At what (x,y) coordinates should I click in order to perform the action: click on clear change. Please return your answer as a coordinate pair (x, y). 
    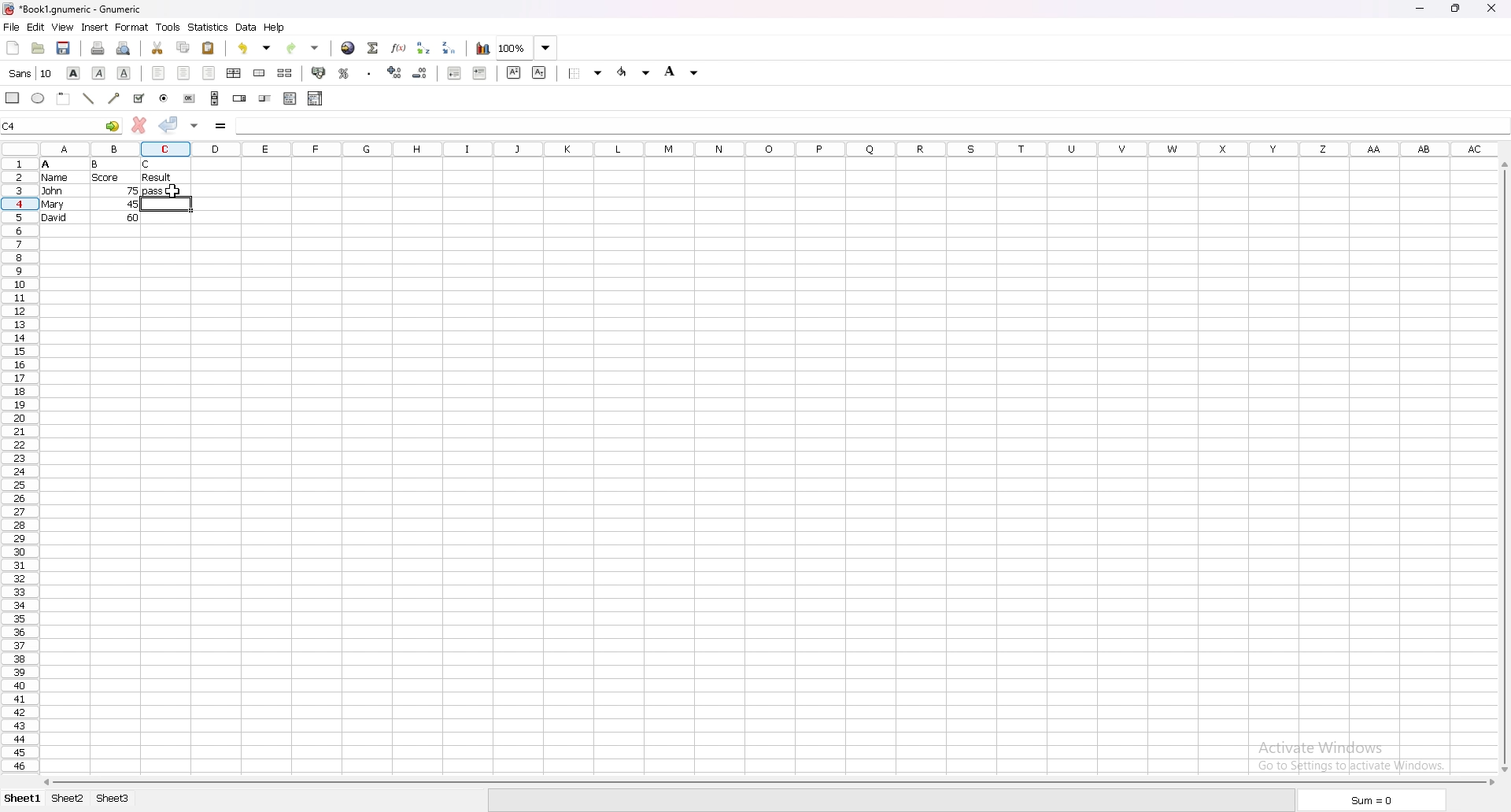
    Looking at the image, I should click on (139, 125).